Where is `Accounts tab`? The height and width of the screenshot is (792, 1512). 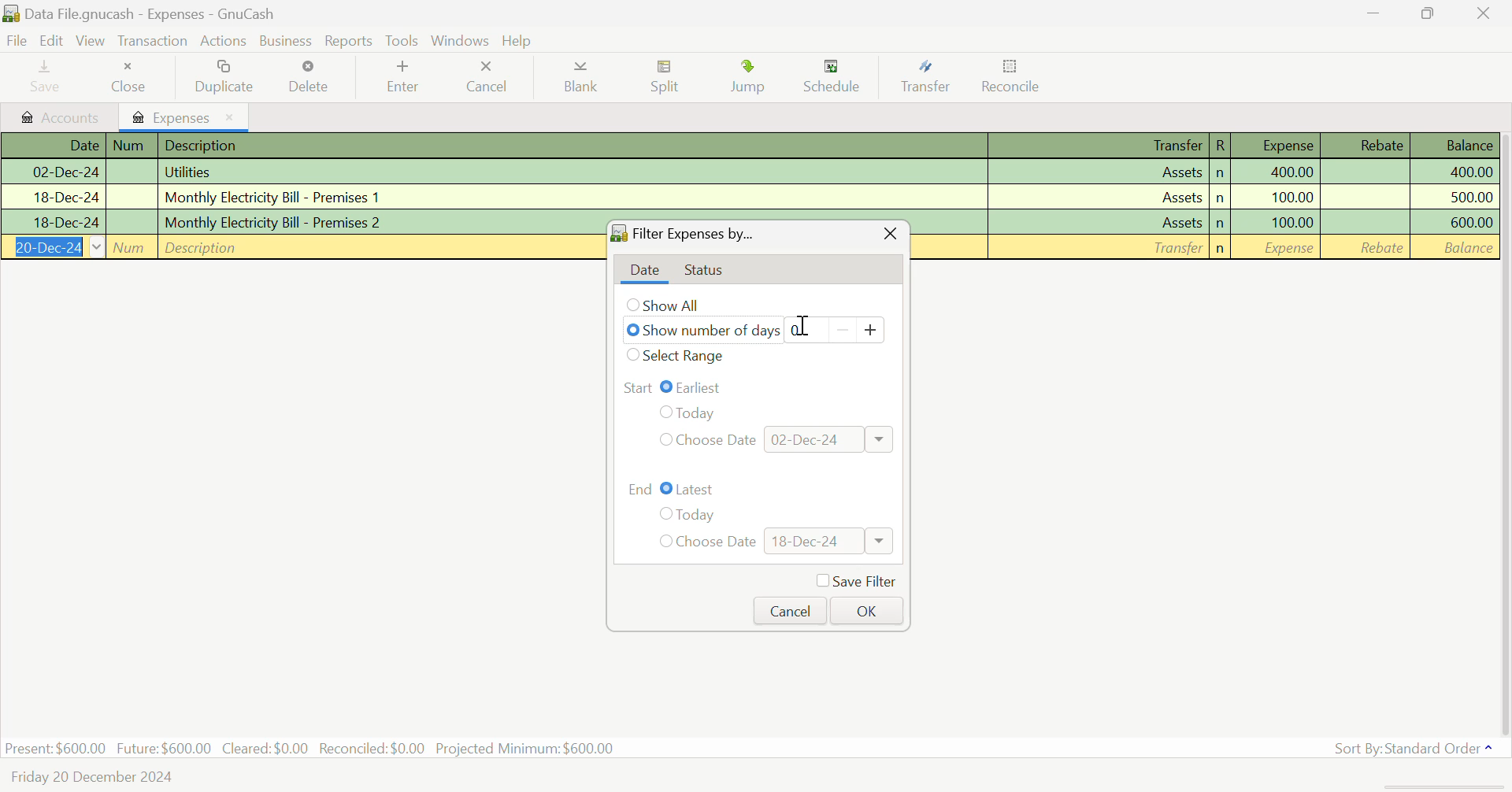
Accounts tab is located at coordinates (60, 116).